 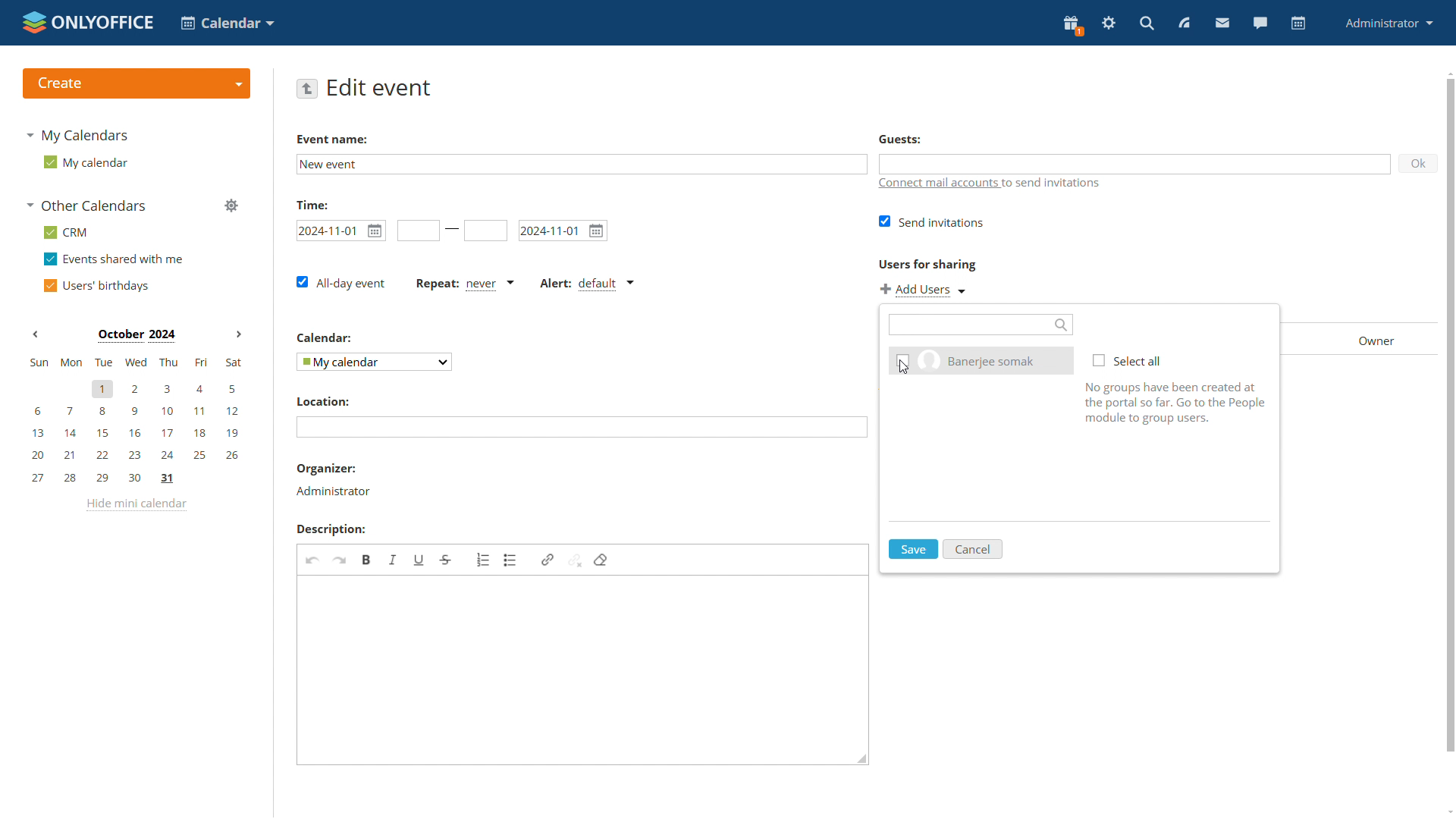 I want to click on select all checkbox, so click(x=1129, y=361).